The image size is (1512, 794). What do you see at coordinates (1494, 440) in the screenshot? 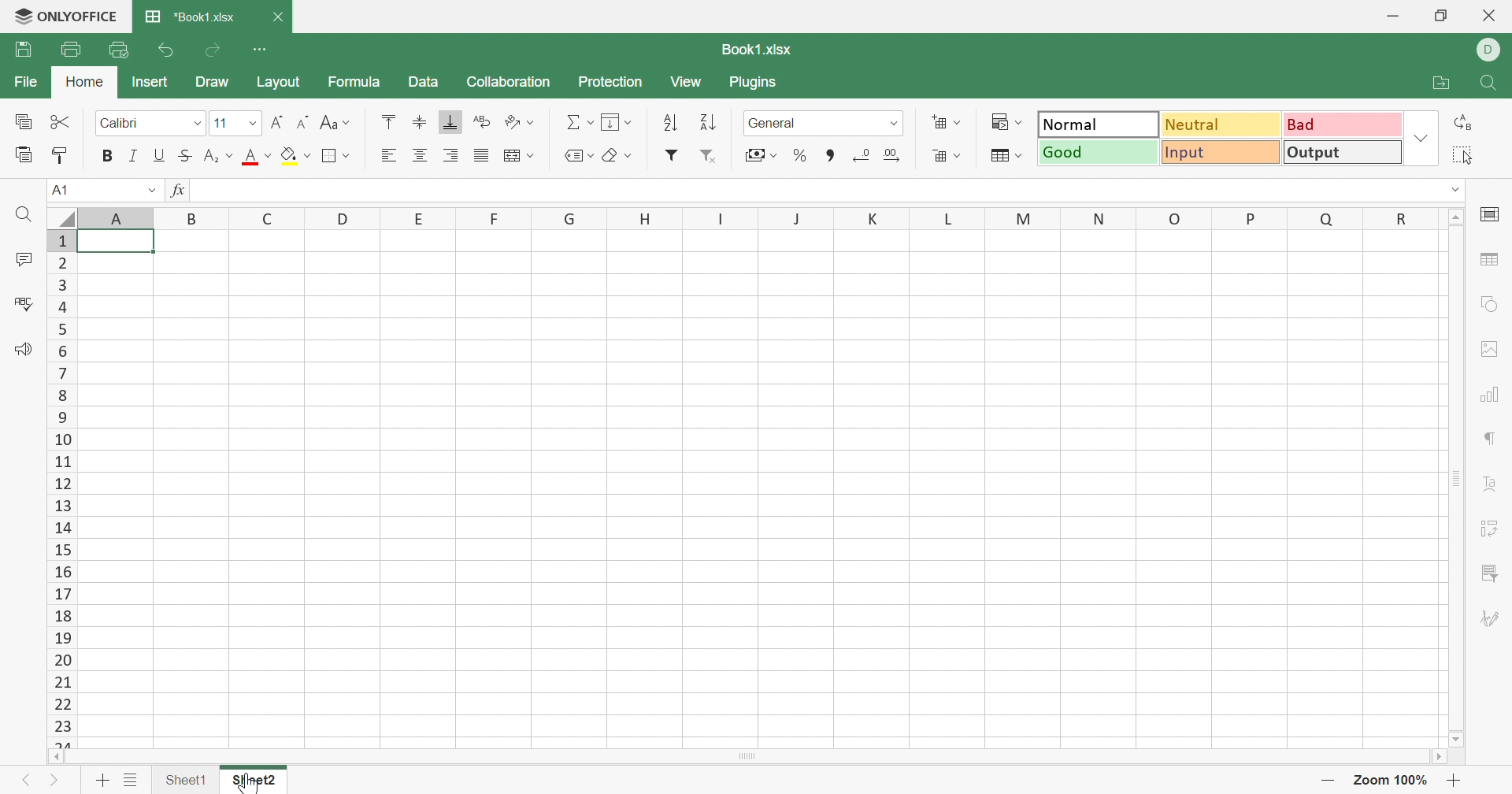
I see `paragraph settings` at bounding box center [1494, 440].